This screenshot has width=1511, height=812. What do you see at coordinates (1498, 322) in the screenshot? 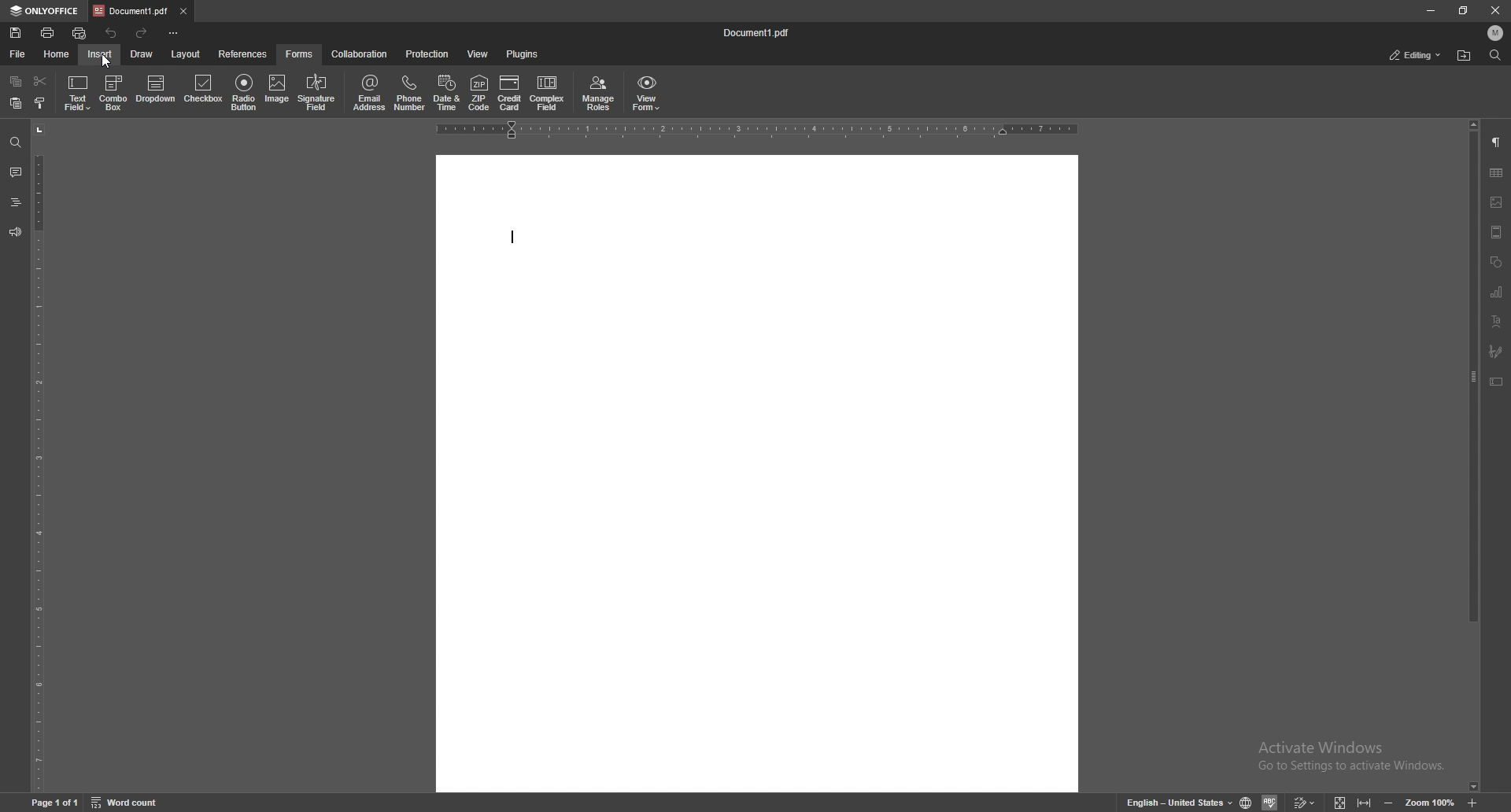
I see `text art` at bounding box center [1498, 322].